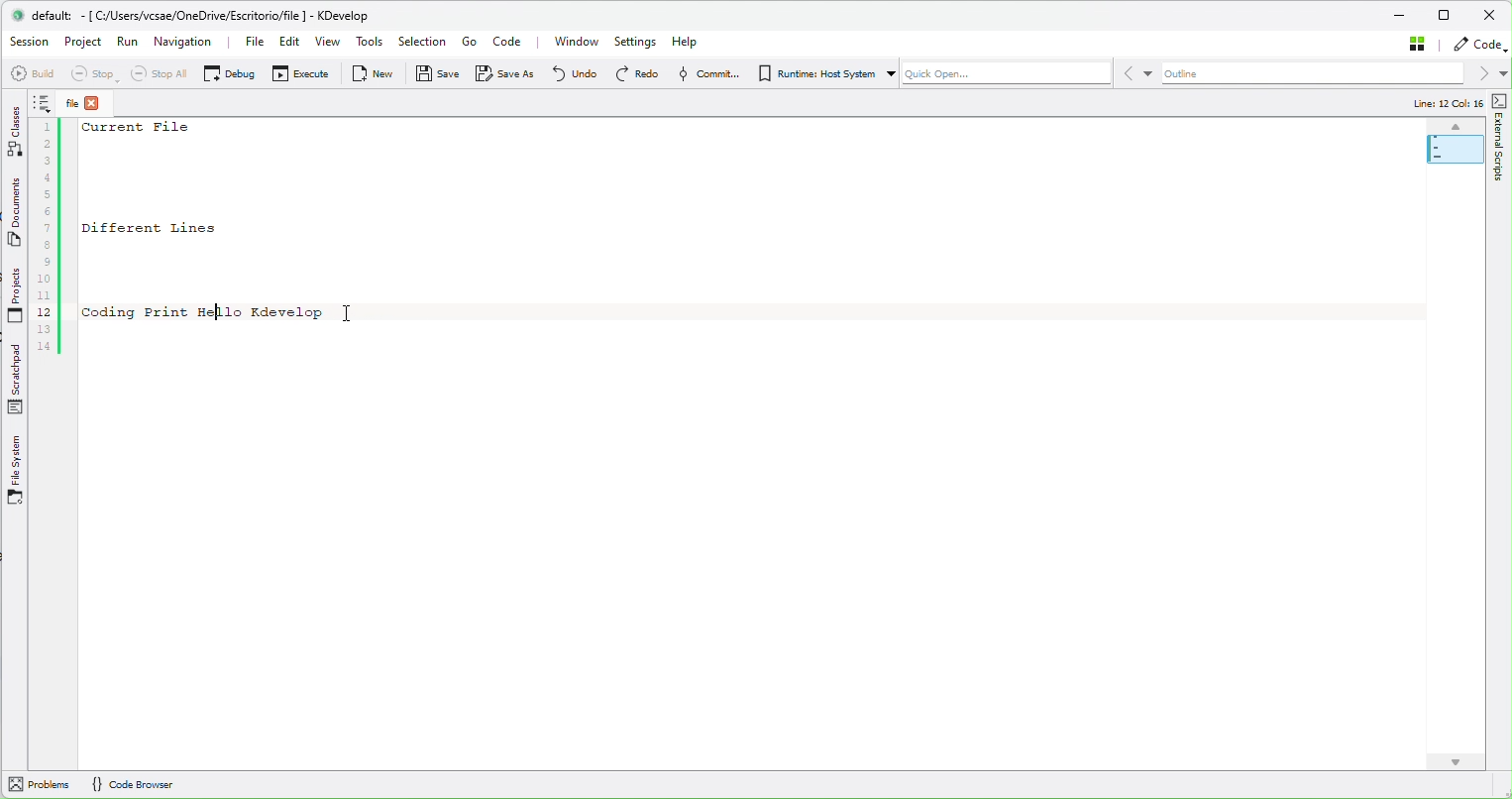 This screenshot has height=799, width=1512. I want to click on Stash, so click(1413, 47).